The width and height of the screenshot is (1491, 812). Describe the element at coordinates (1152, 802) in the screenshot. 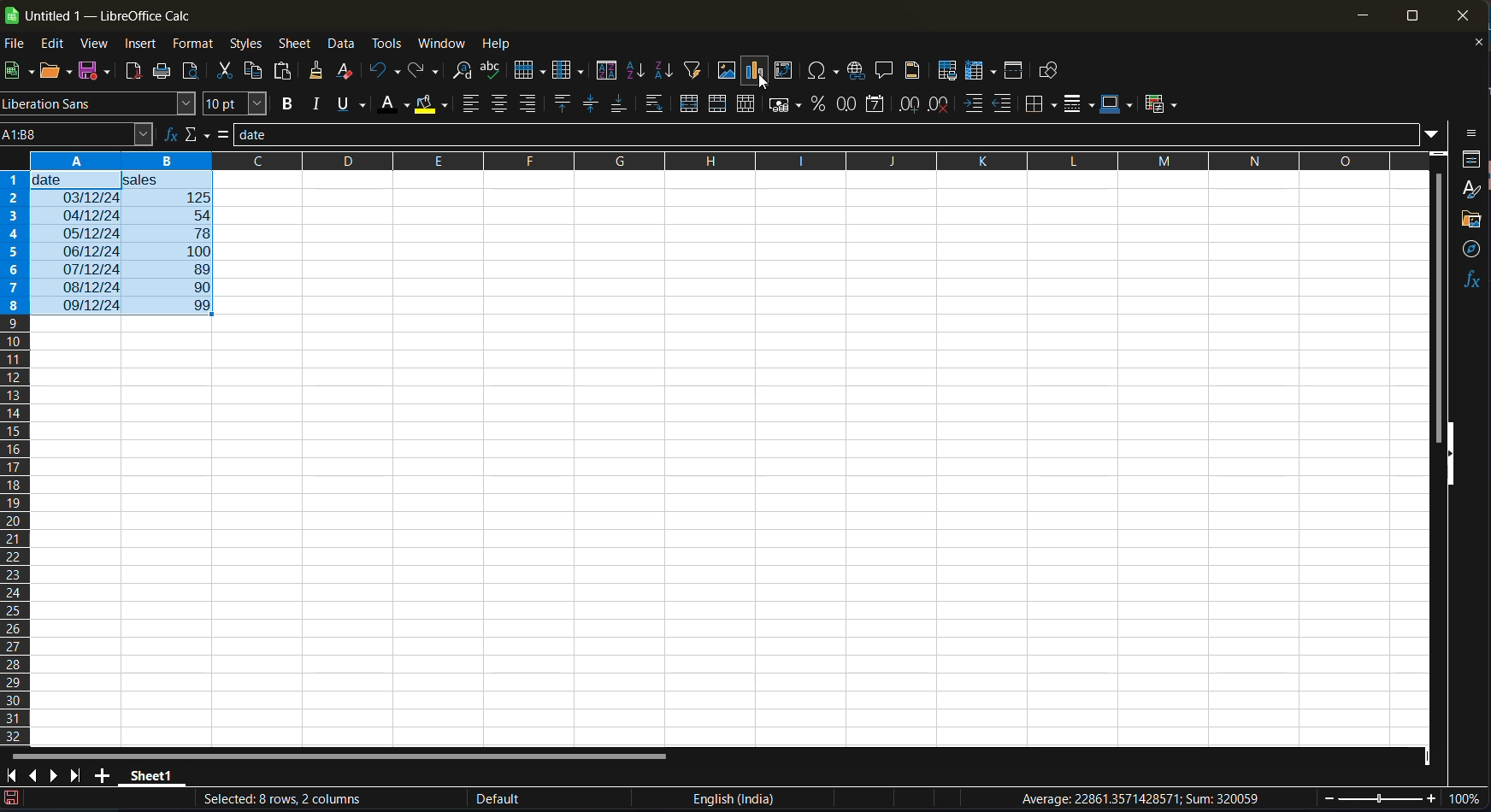

I see `average, sum of cells` at that location.